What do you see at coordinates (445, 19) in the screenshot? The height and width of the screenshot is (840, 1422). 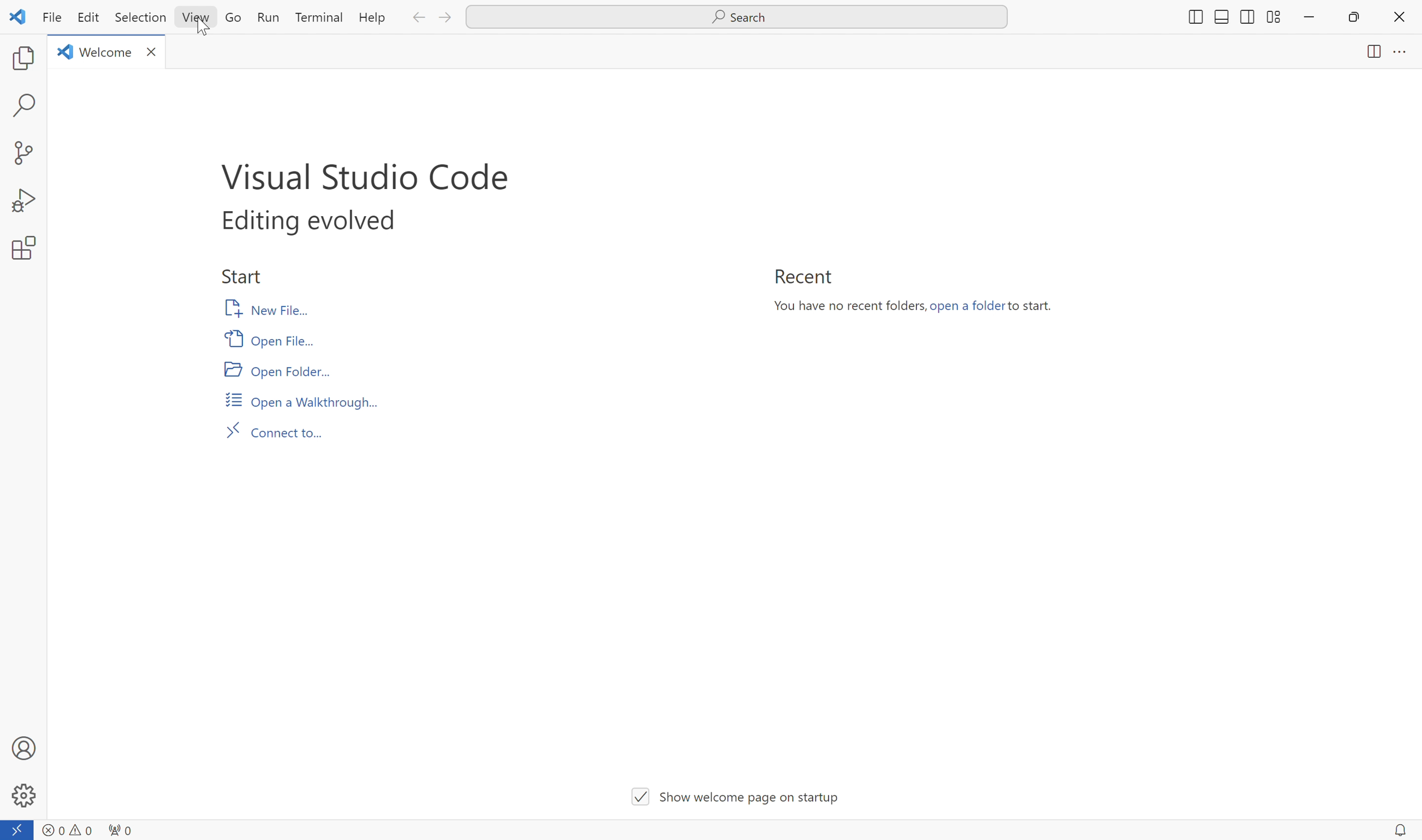 I see `forward` at bounding box center [445, 19].